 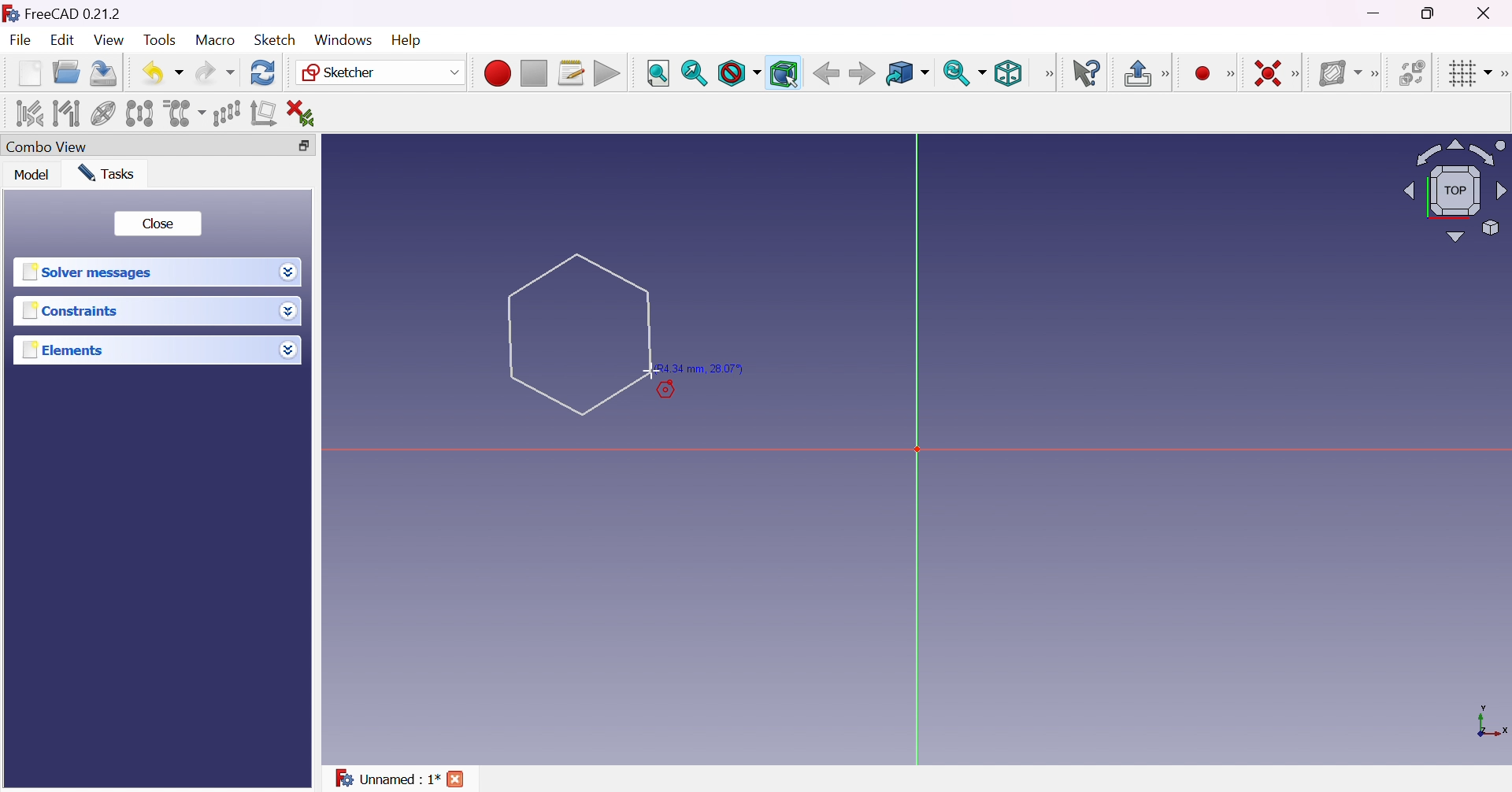 What do you see at coordinates (216, 40) in the screenshot?
I see `Macro` at bounding box center [216, 40].